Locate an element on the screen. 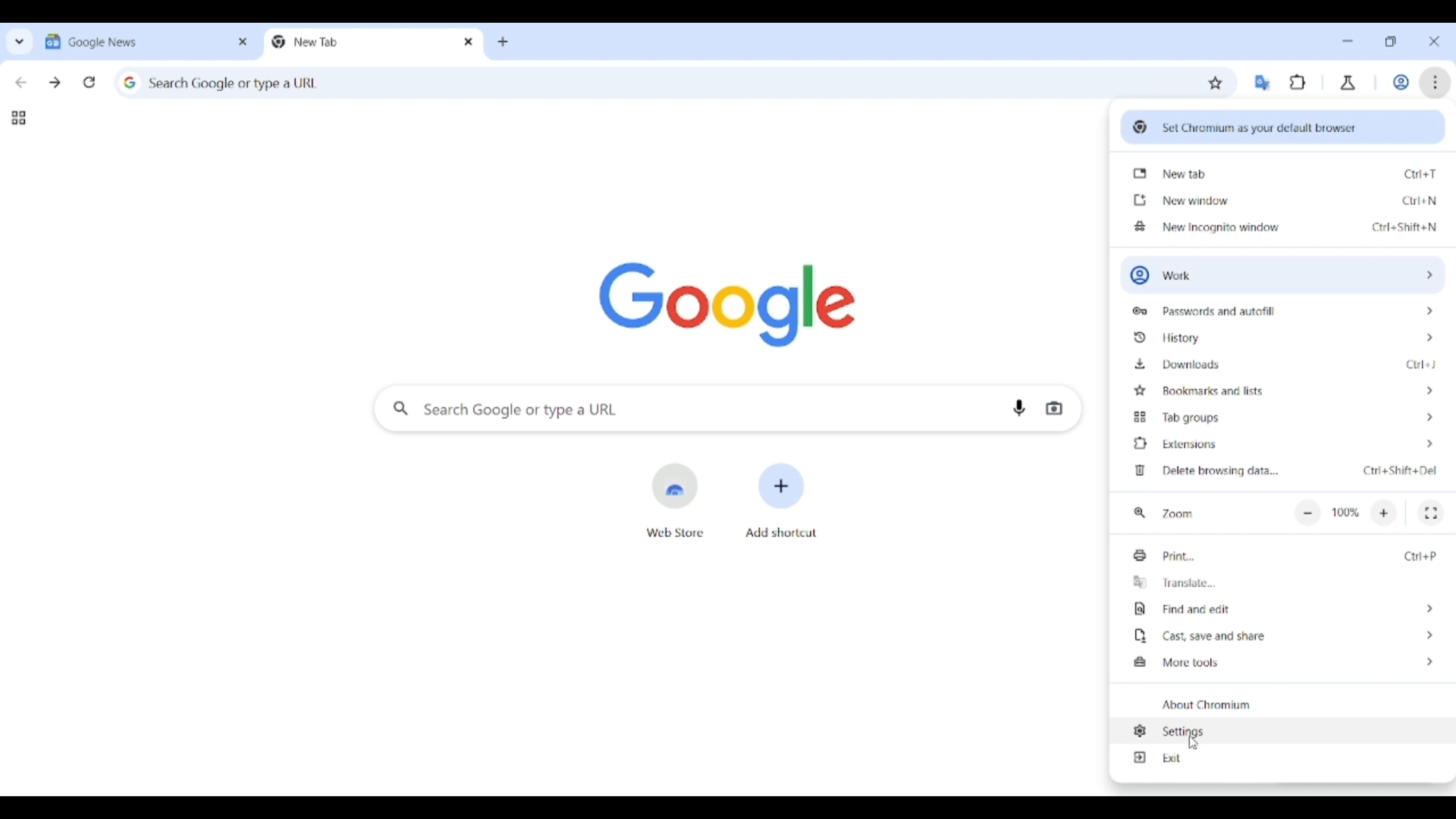  Zoom out is located at coordinates (1307, 514).